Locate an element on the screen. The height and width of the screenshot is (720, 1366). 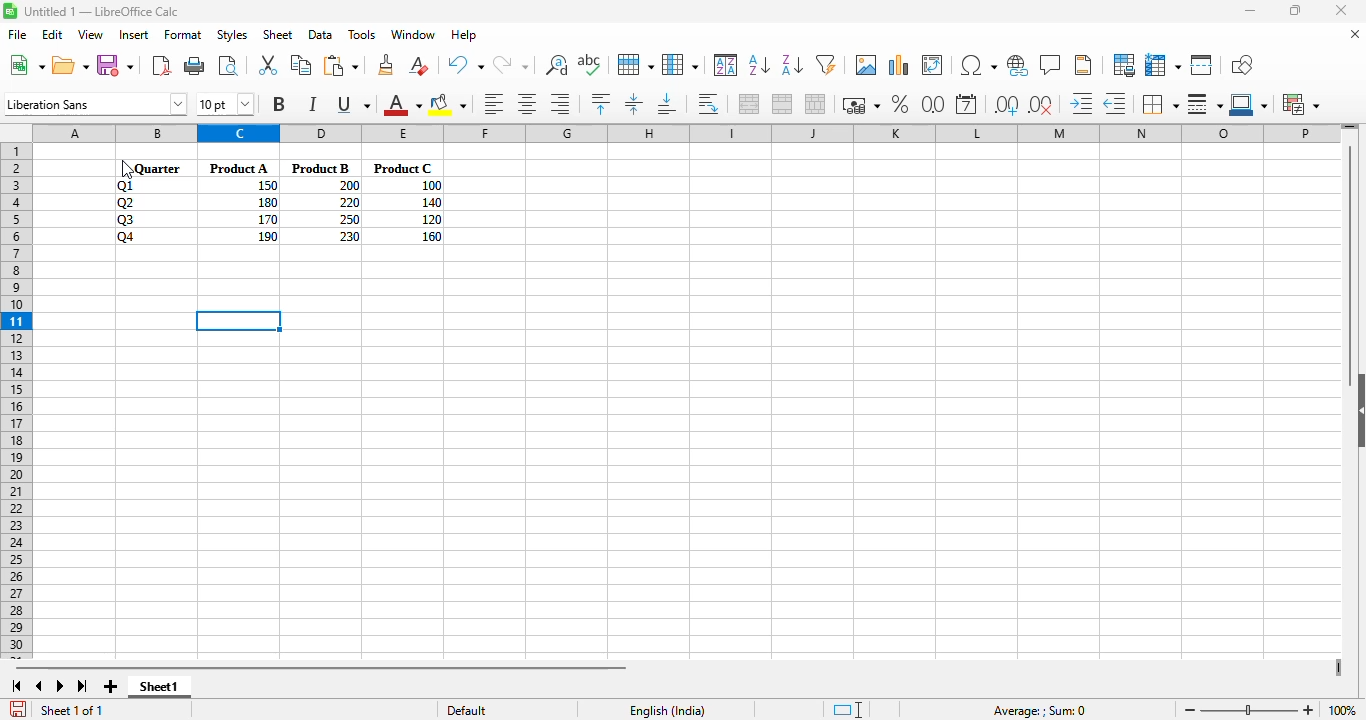
format is located at coordinates (183, 35).